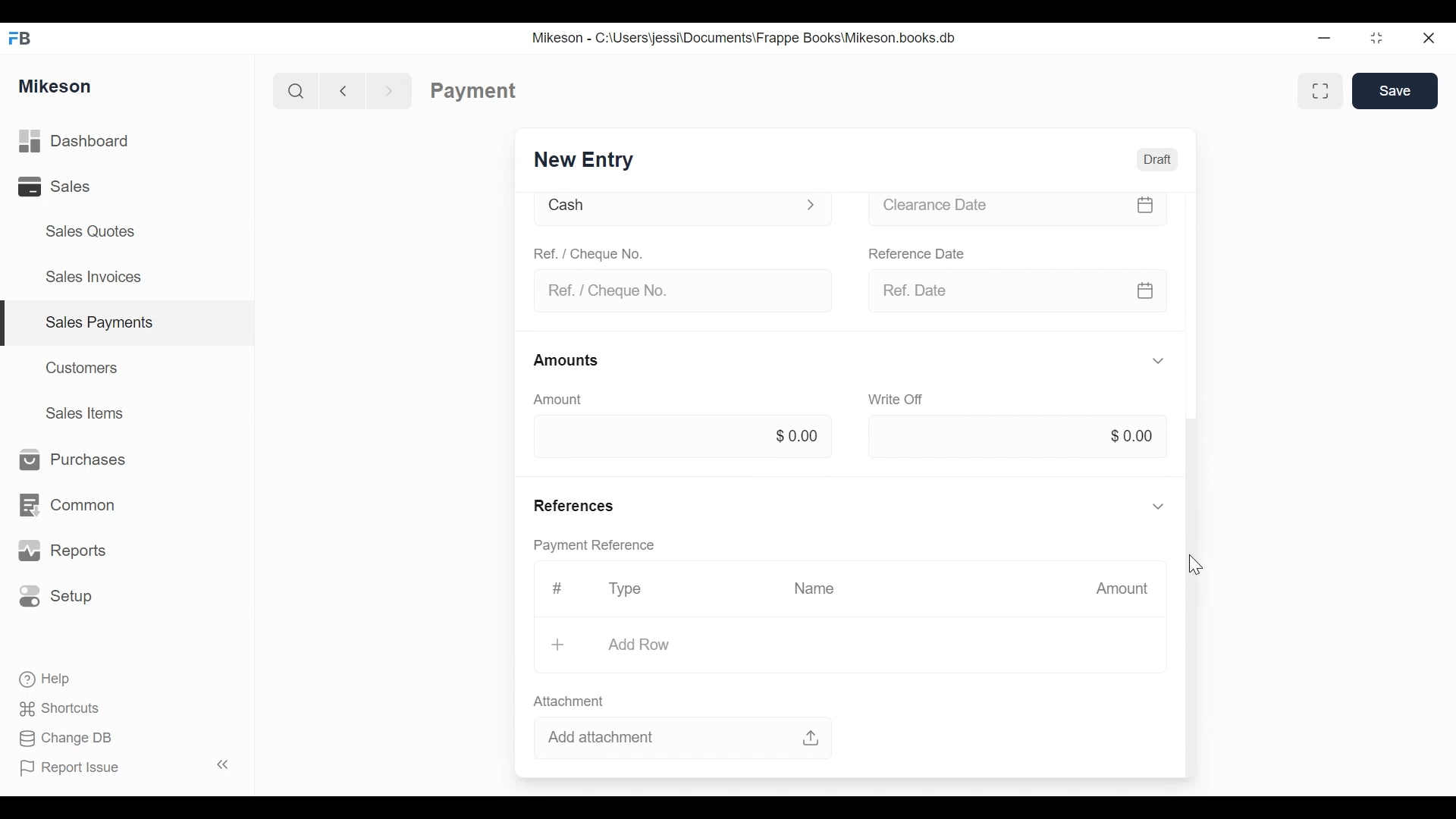  I want to click on Common, so click(75, 497).